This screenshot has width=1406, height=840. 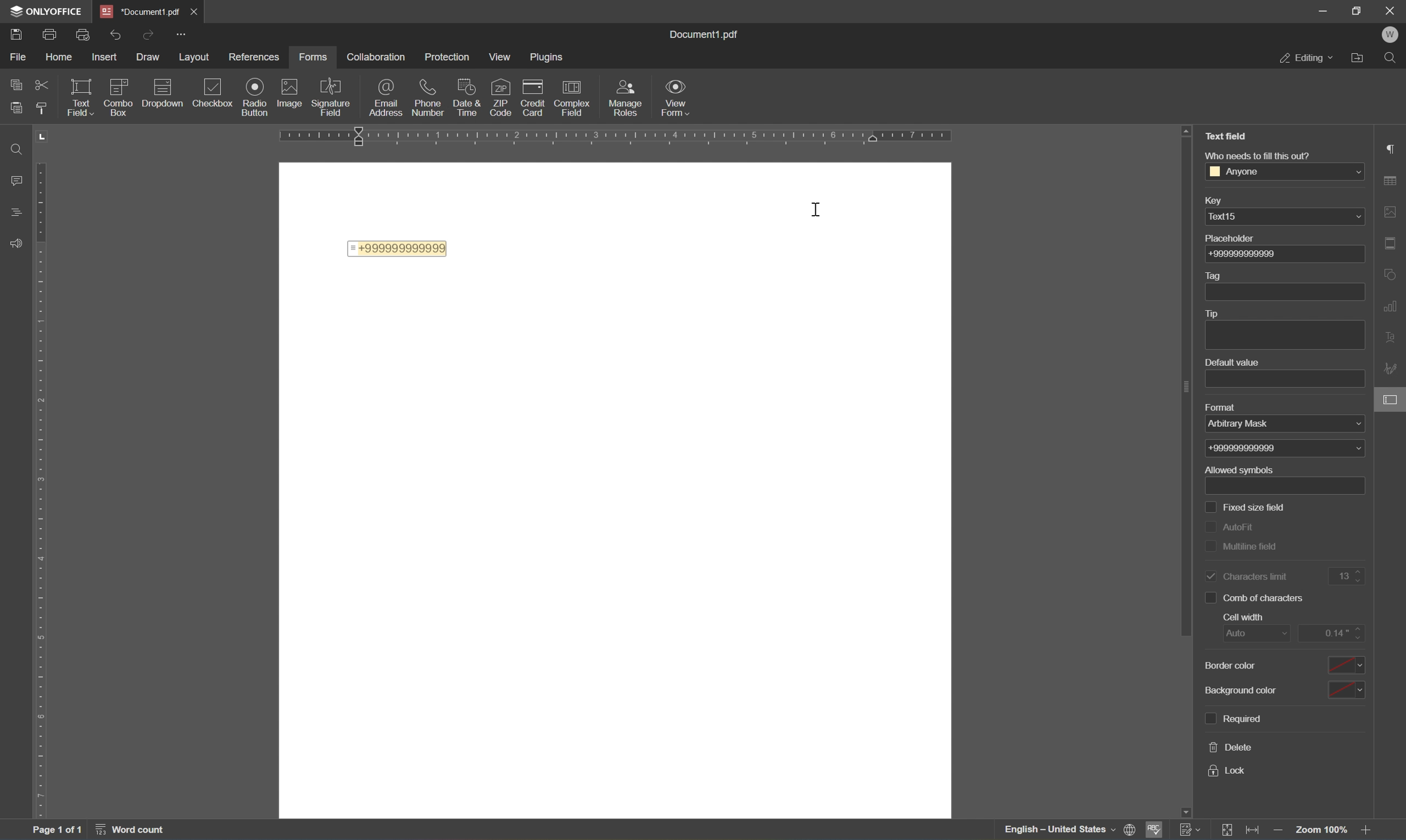 I want to click on scroll bar, so click(x=1180, y=381).